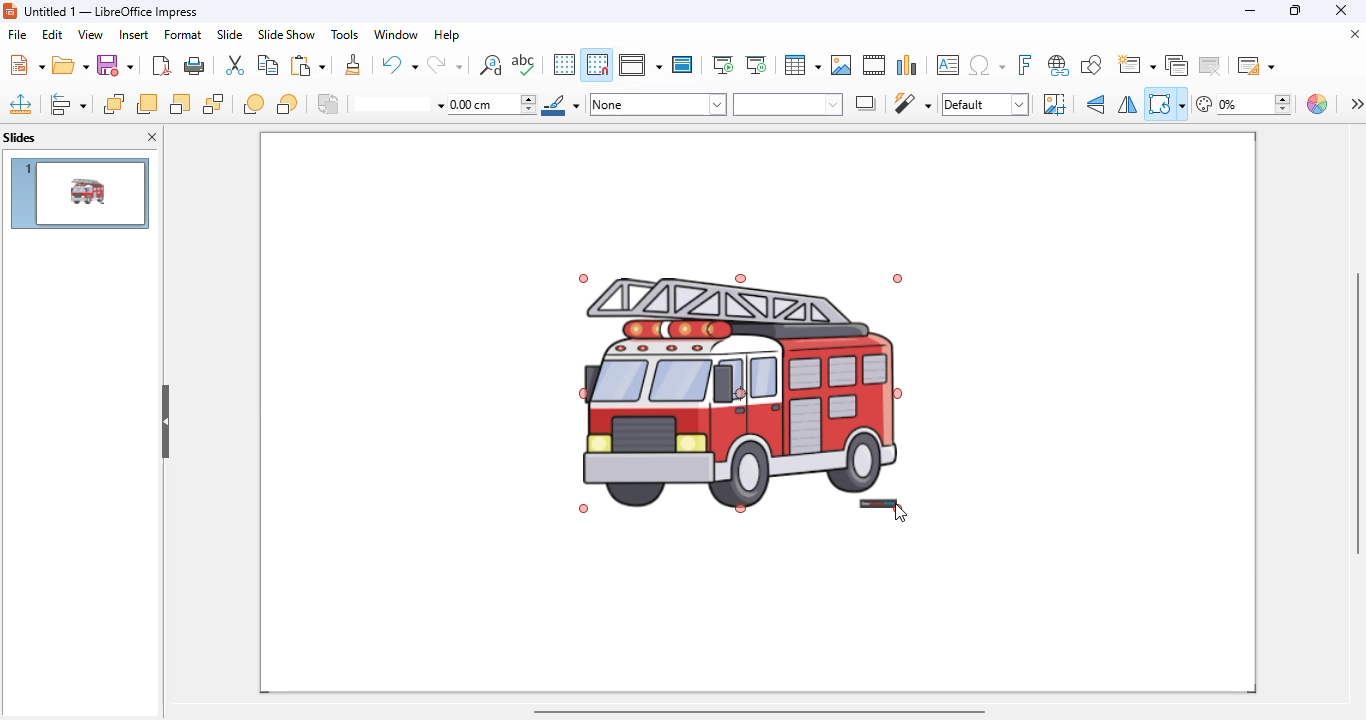  I want to click on insert fontwork text, so click(1026, 64).